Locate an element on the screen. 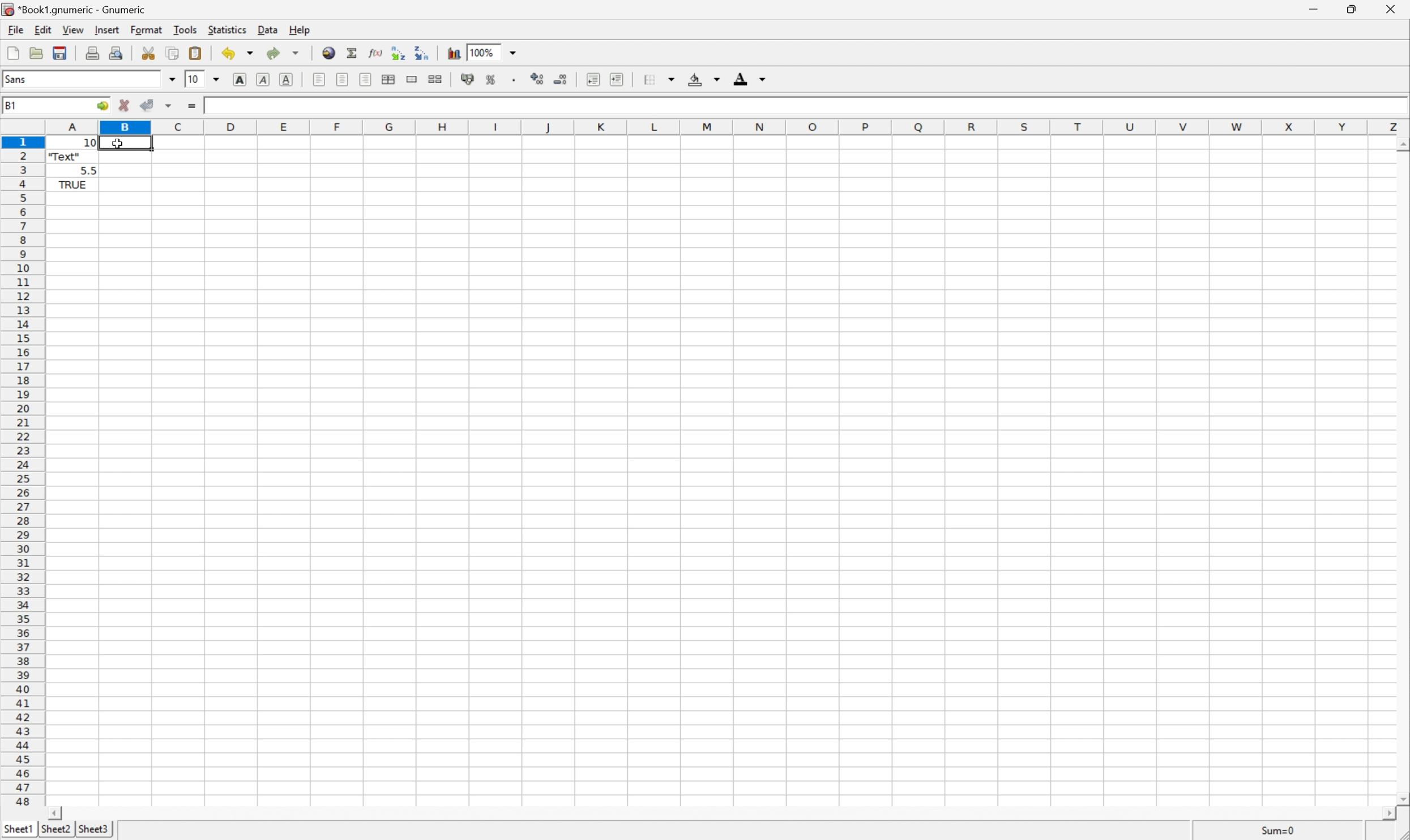 This screenshot has height=840, width=1410. 10 is located at coordinates (194, 79).